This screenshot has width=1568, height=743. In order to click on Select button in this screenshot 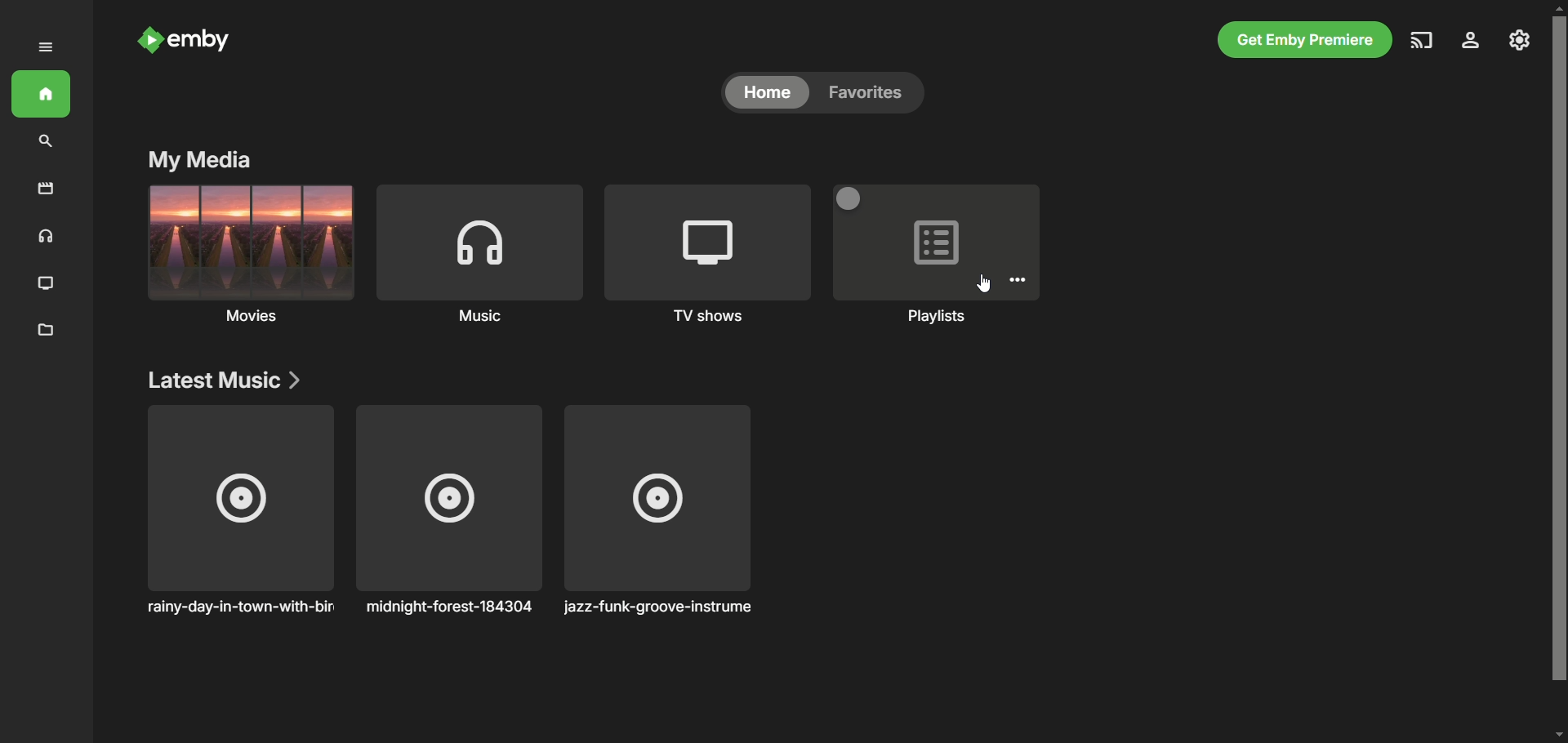, I will do `click(848, 198)`.